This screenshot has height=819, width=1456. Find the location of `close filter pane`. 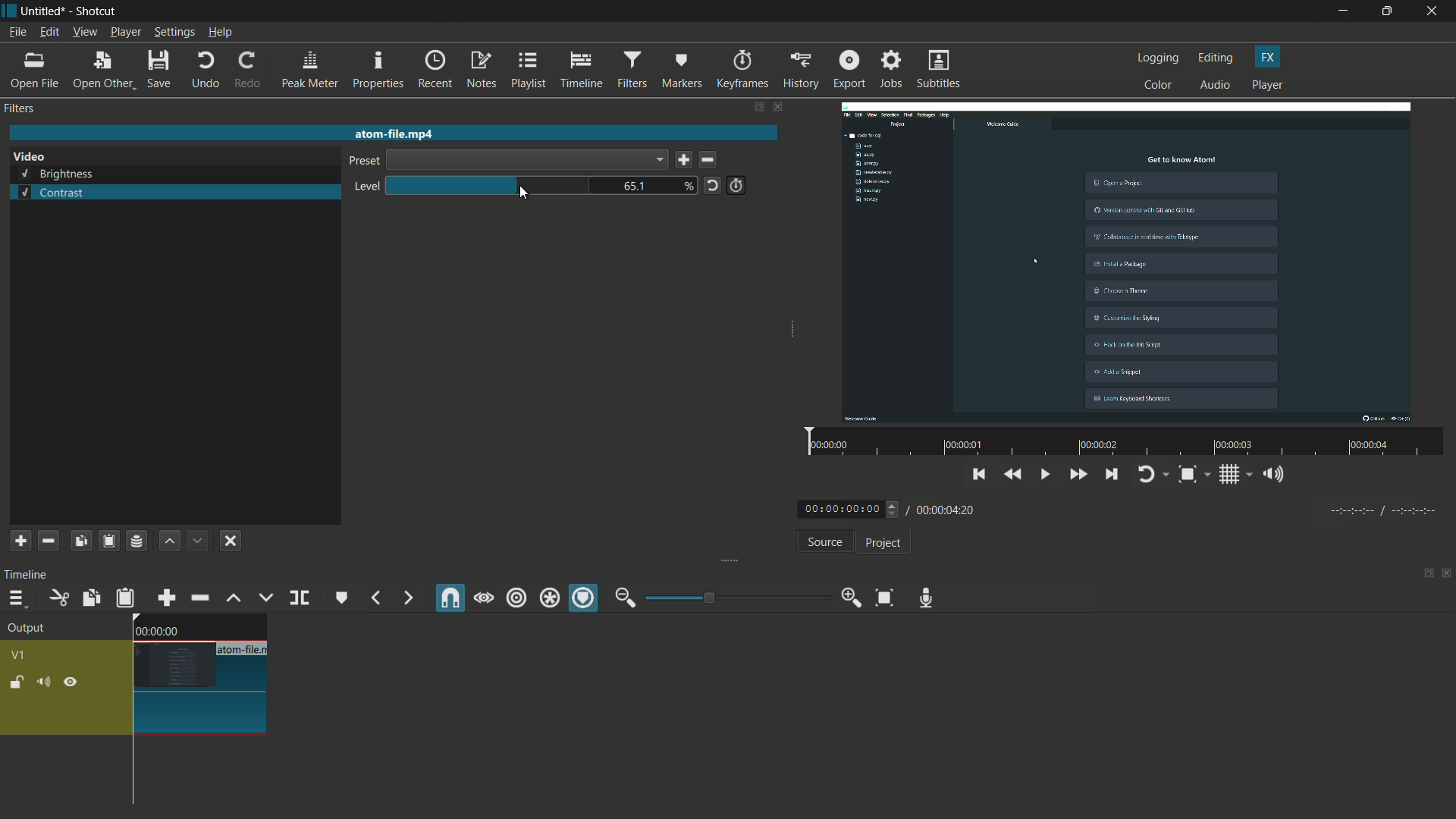

close filter pane is located at coordinates (780, 108).